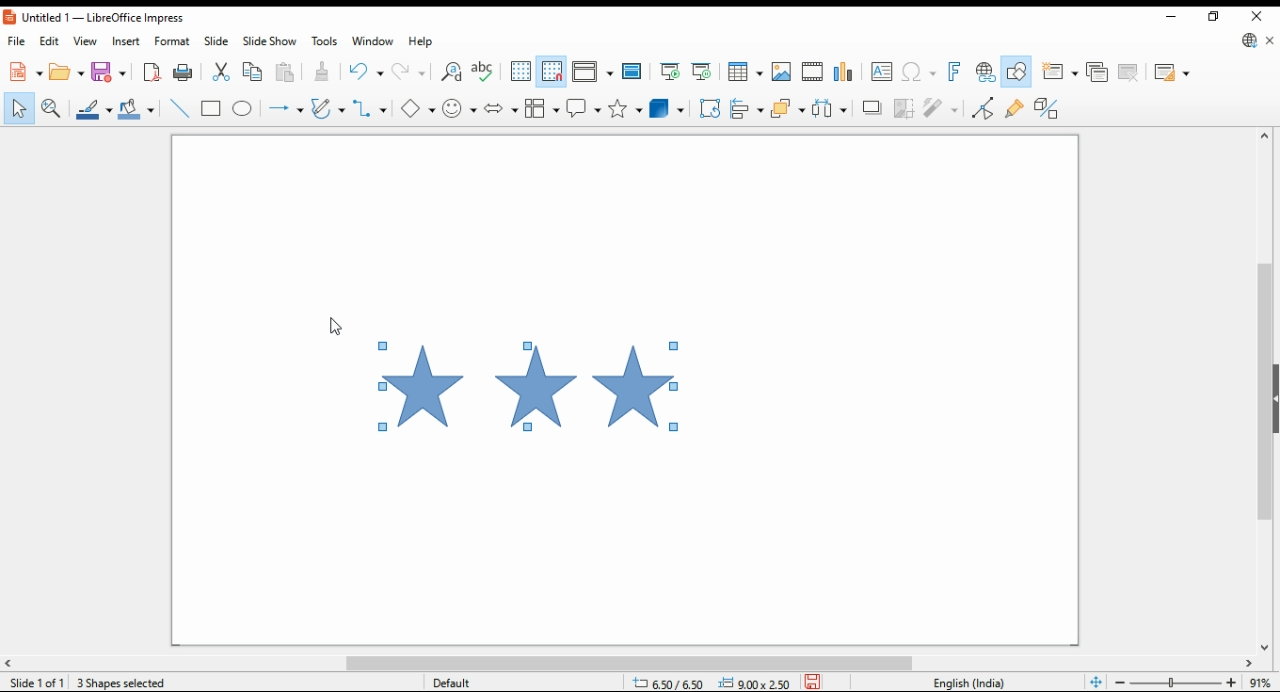 The image size is (1280, 692). I want to click on shadows, so click(872, 108).